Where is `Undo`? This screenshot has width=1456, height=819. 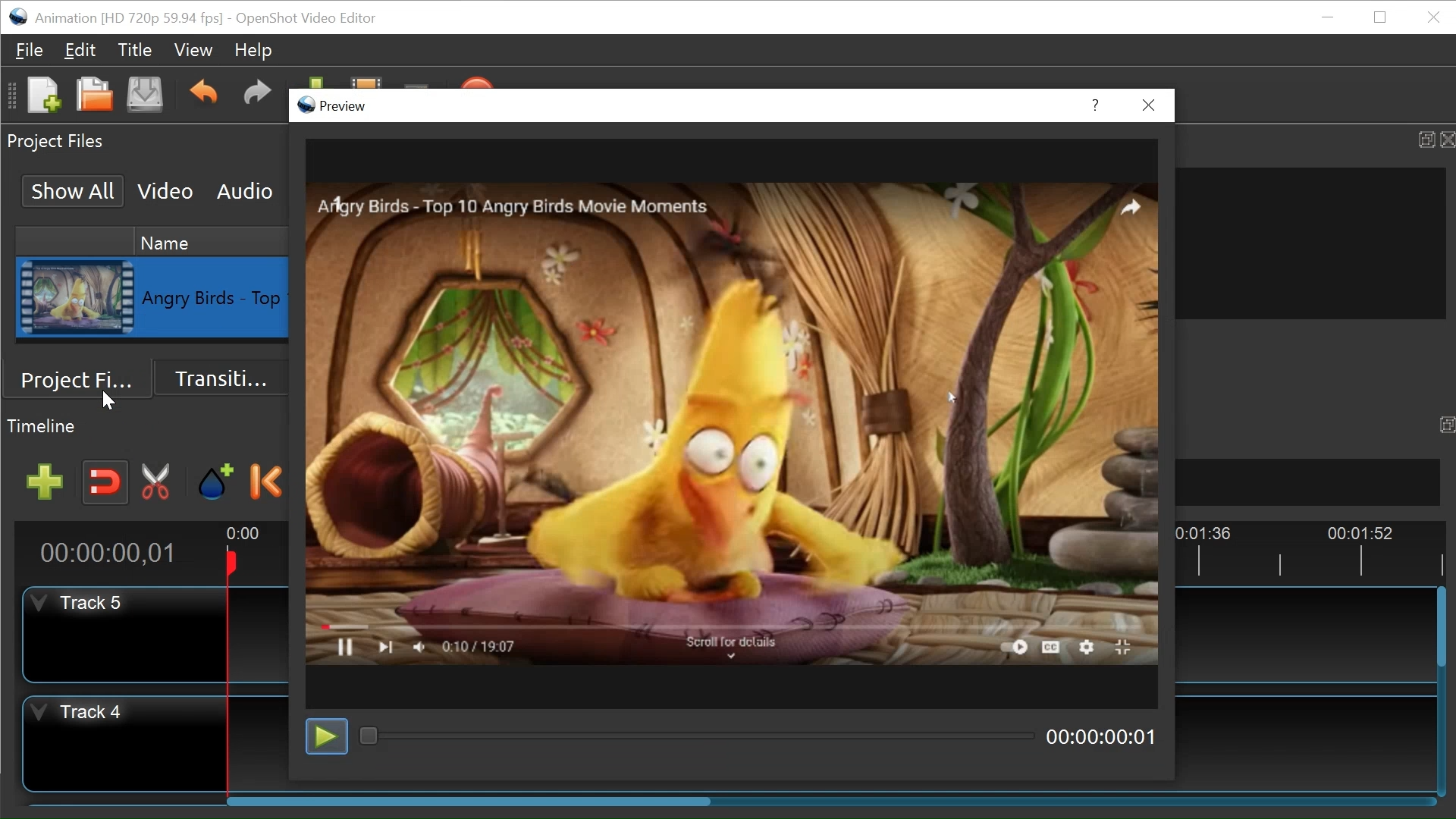
Undo is located at coordinates (202, 93).